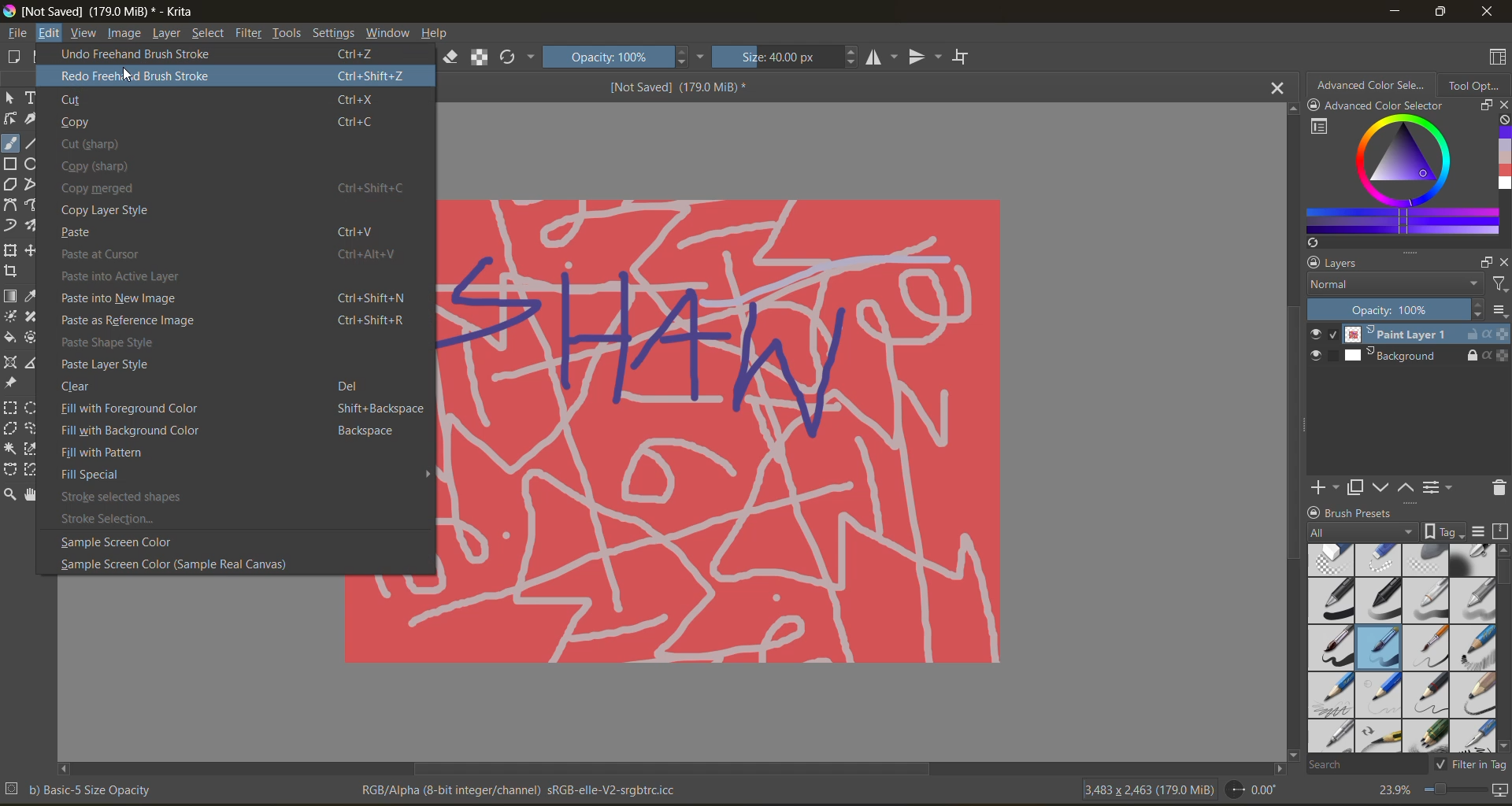 The width and height of the screenshot is (1512, 806). Describe the element at coordinates (1424, 336) in the screenshot. I see `Paint Layer 1` at that location.